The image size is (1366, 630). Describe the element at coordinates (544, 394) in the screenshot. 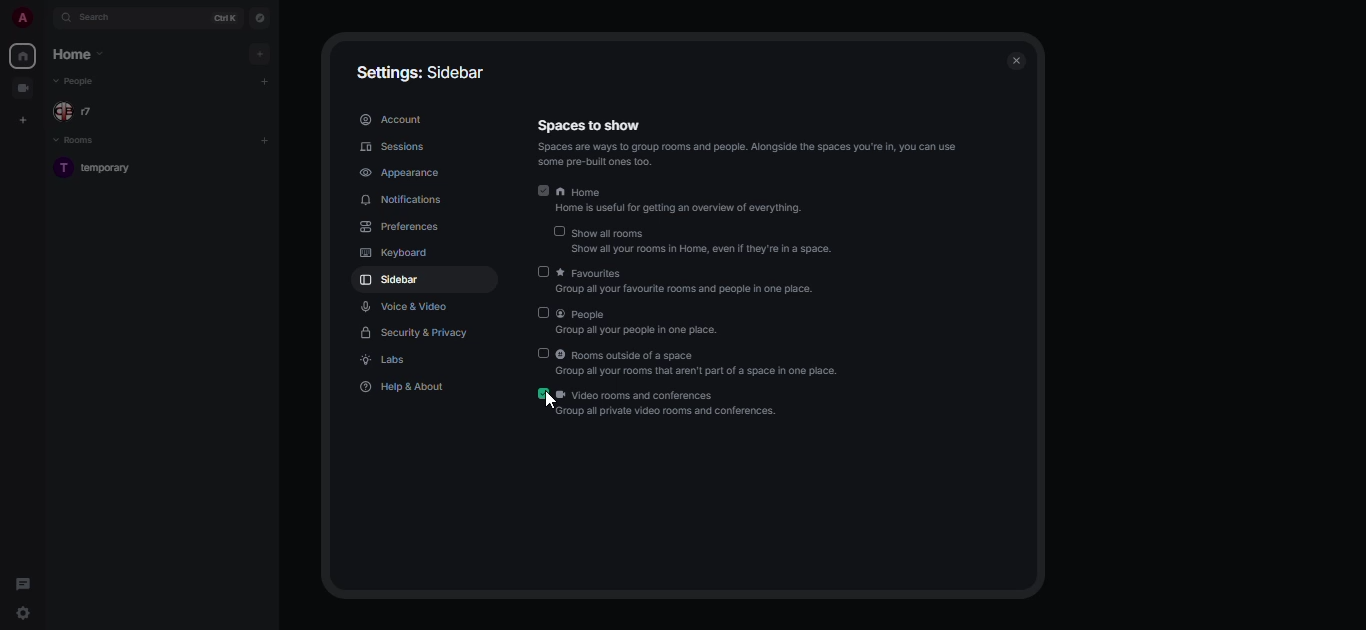

I see `enabled` at that location.